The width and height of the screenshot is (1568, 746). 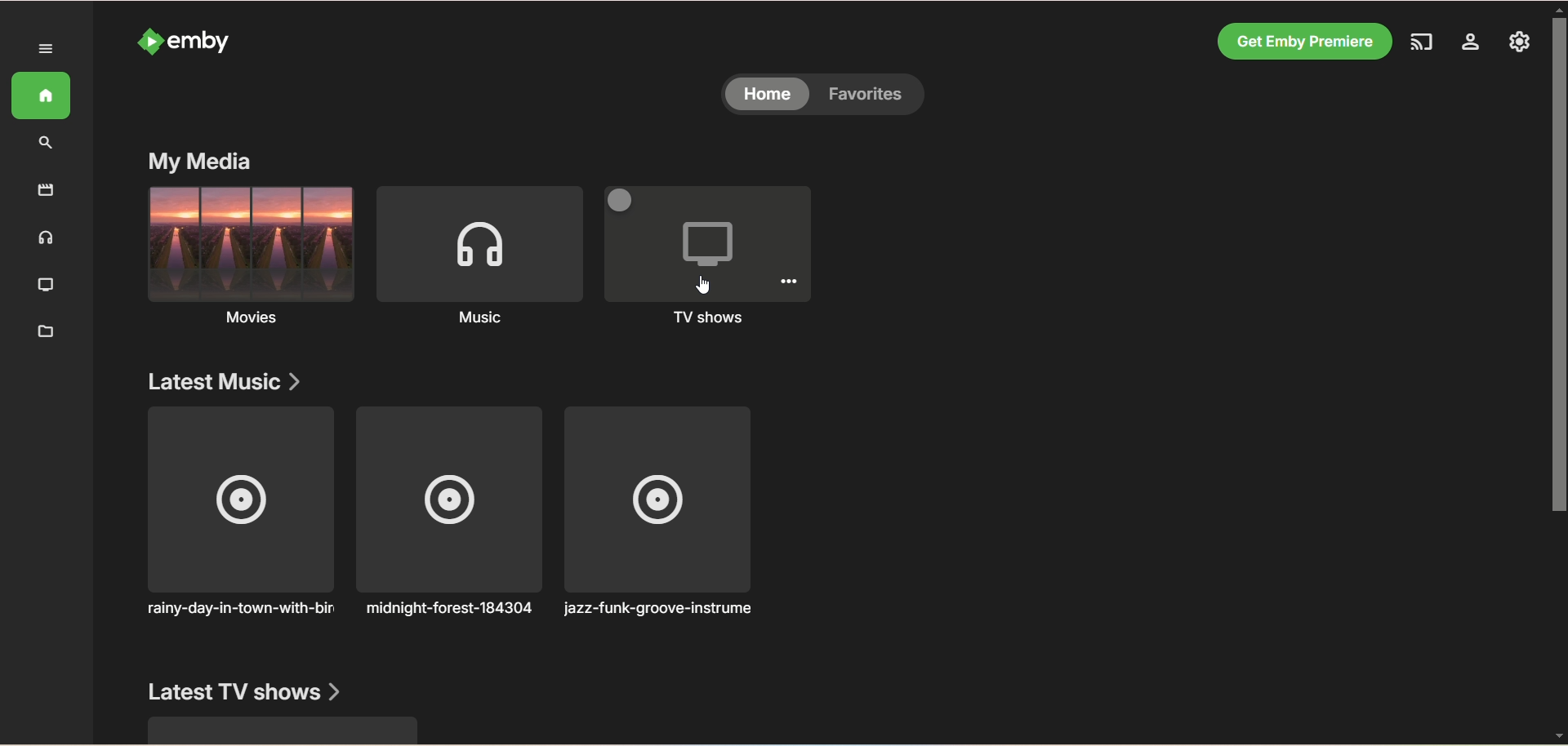 I want to click on rainy-day-in-town-with-bir, so click(x=234, y=523).